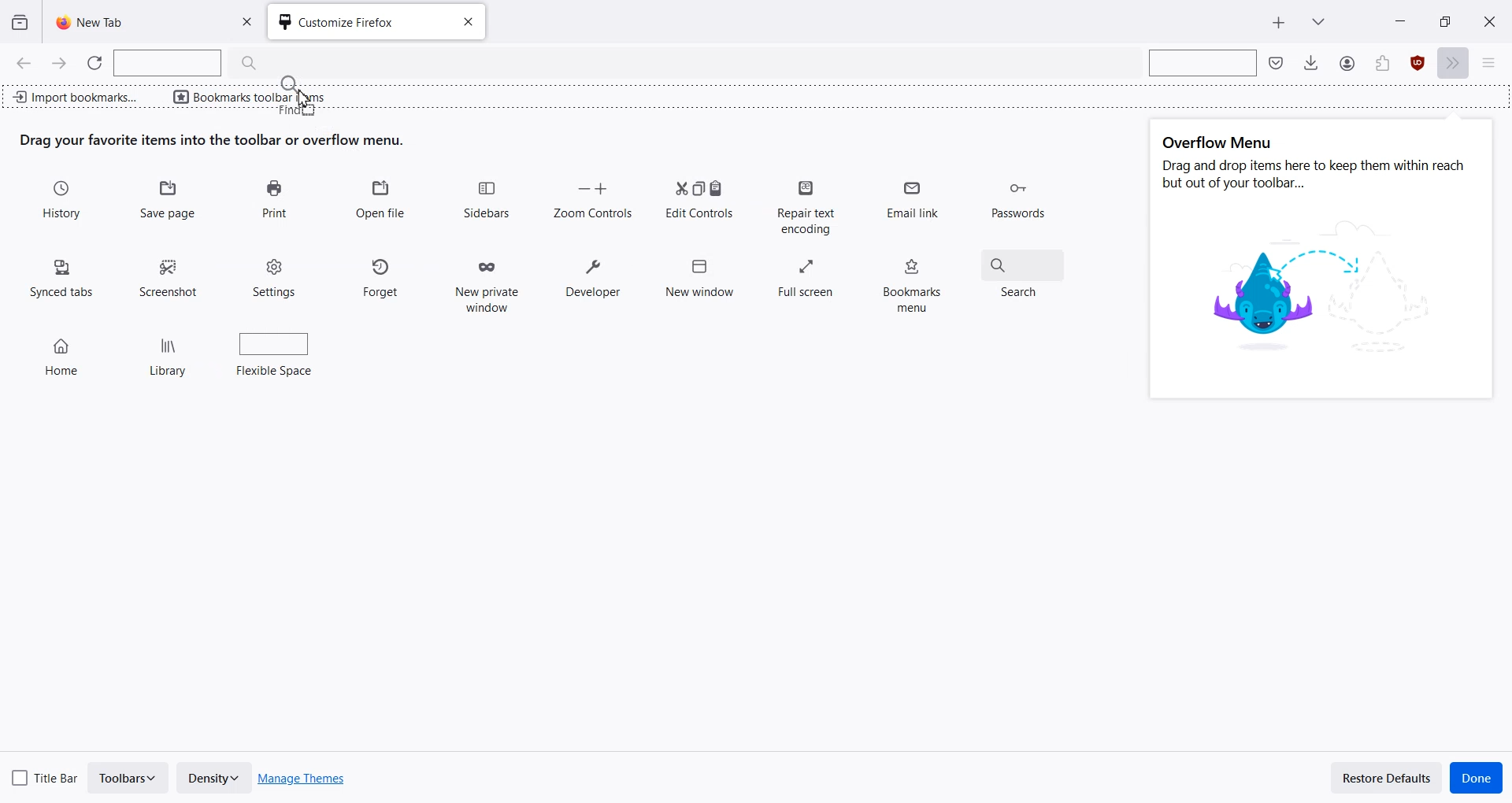 This screenshot has width=1512, height=803. I want to click on Repair text encoding, so click(805, 205).